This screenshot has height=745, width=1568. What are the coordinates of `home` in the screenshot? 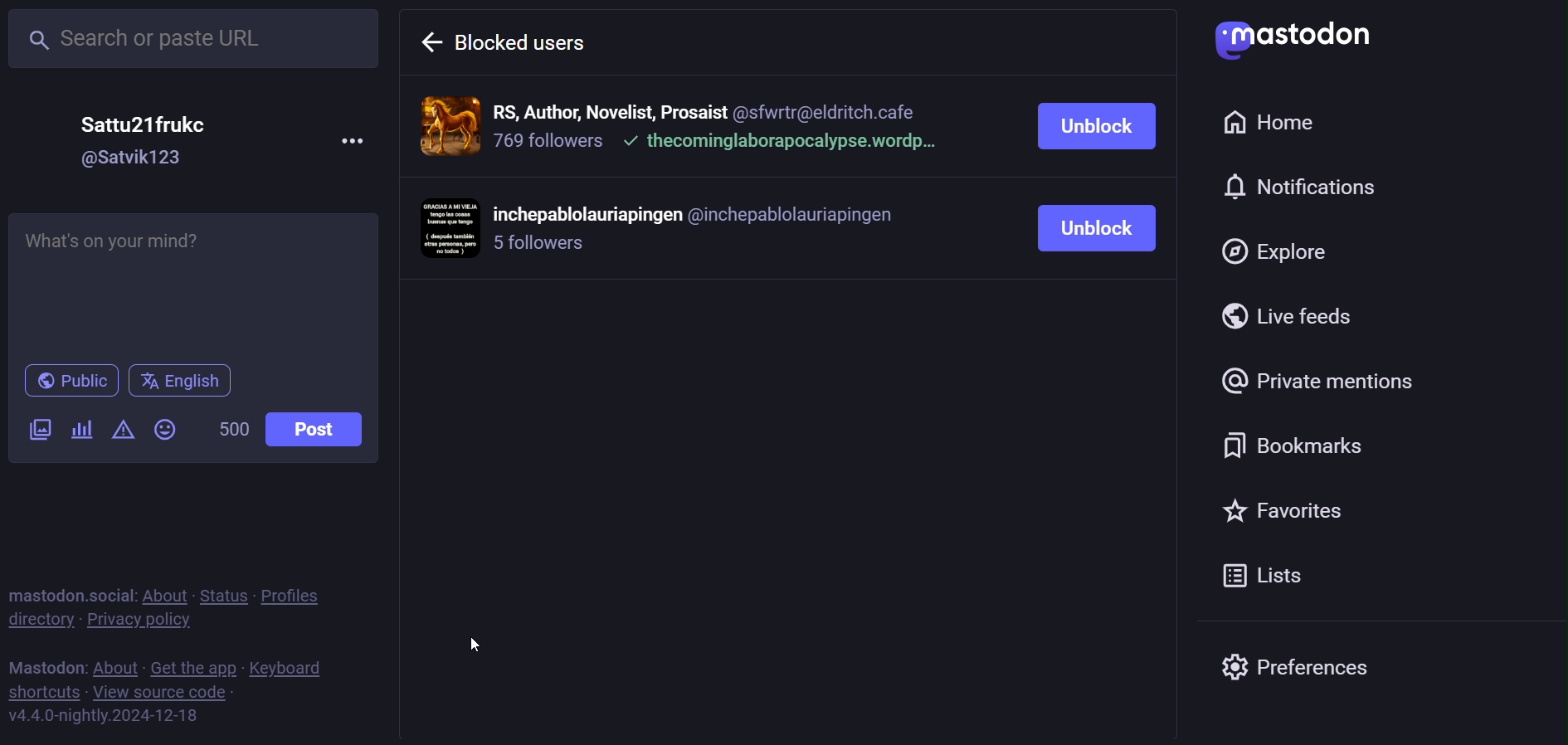 It's located at (1278, 123).